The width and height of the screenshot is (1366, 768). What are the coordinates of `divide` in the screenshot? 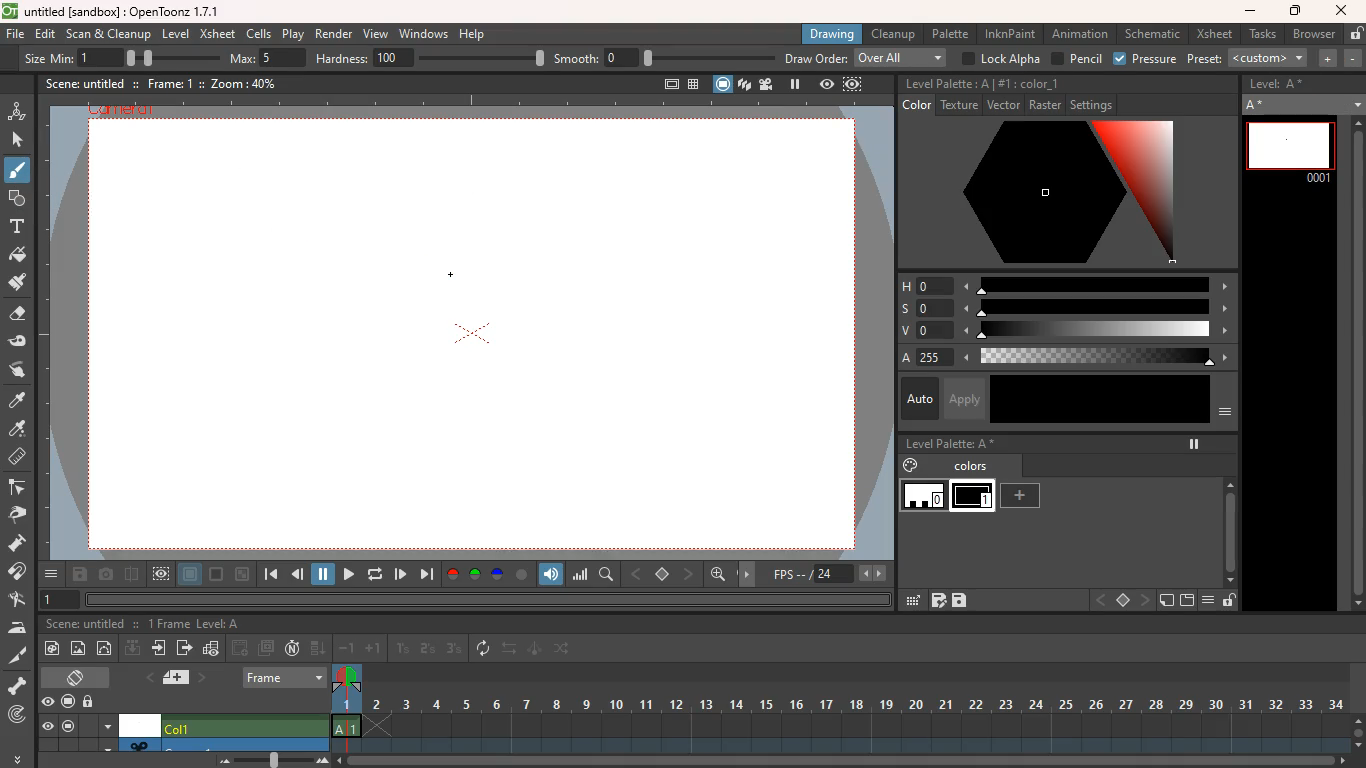 It's located at (131, 573).